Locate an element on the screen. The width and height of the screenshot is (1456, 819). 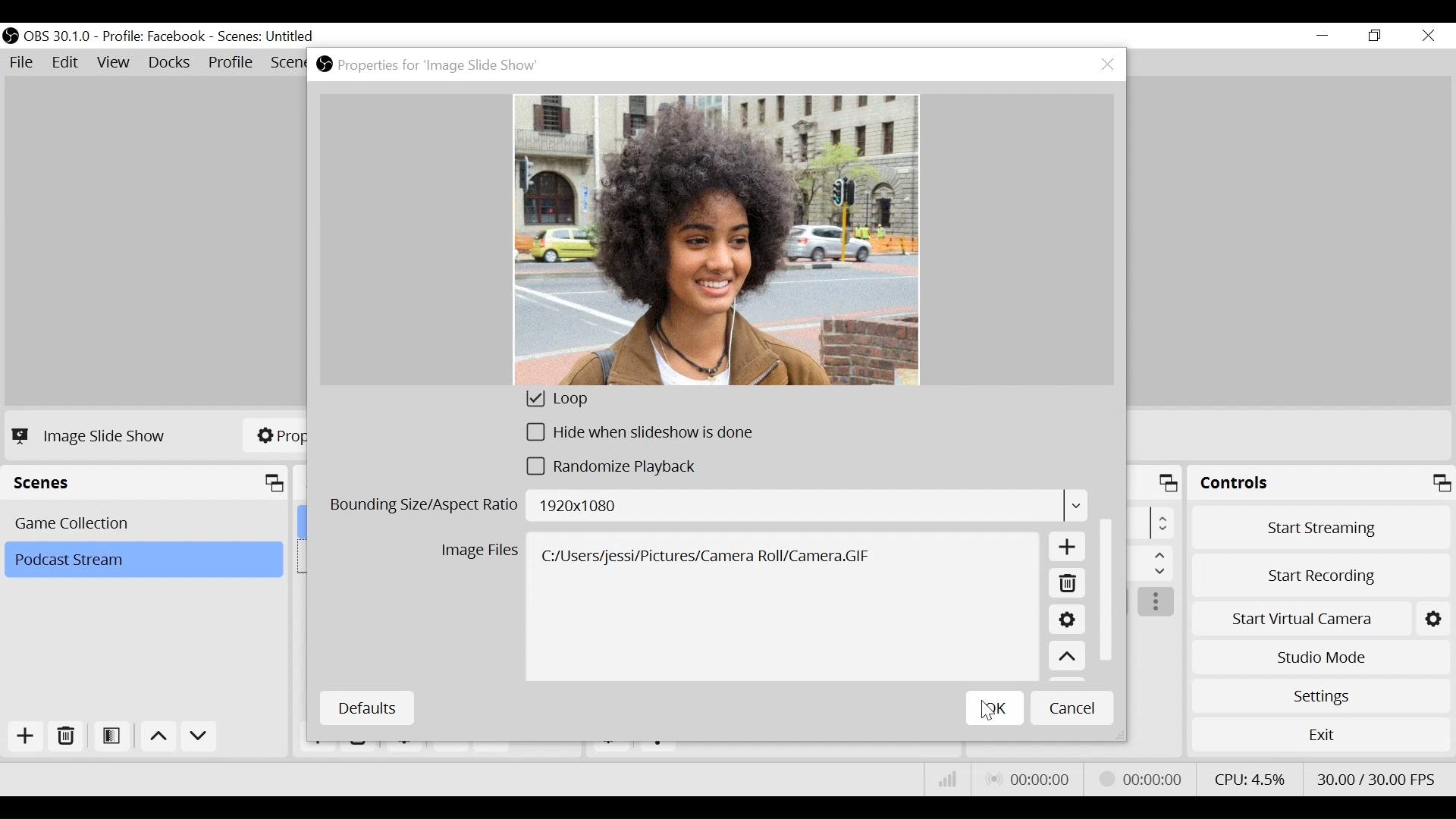
Defaults is located at coordinates (366, 708).